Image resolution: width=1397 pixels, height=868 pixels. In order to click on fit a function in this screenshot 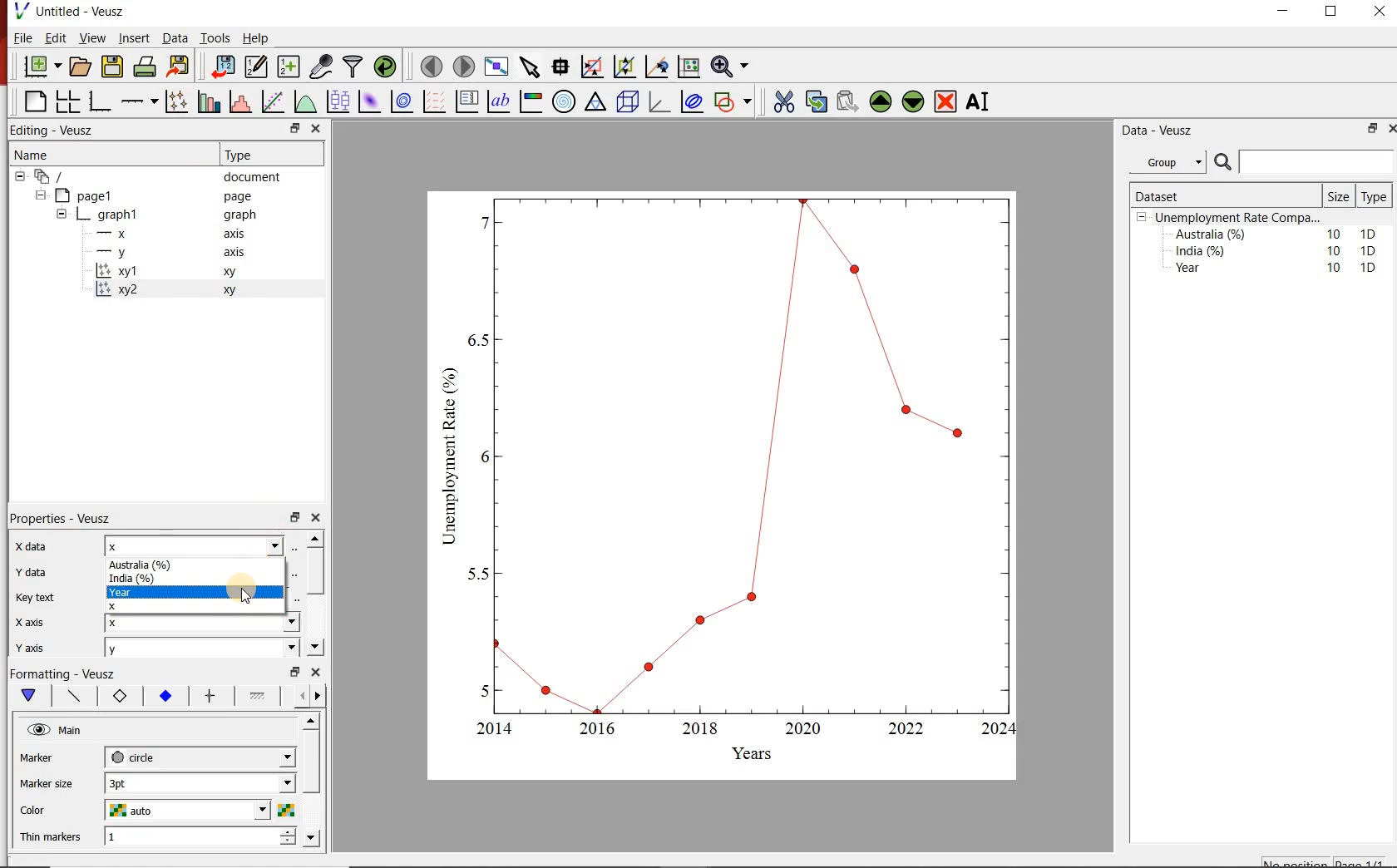, I will do `click(272, 101)`.